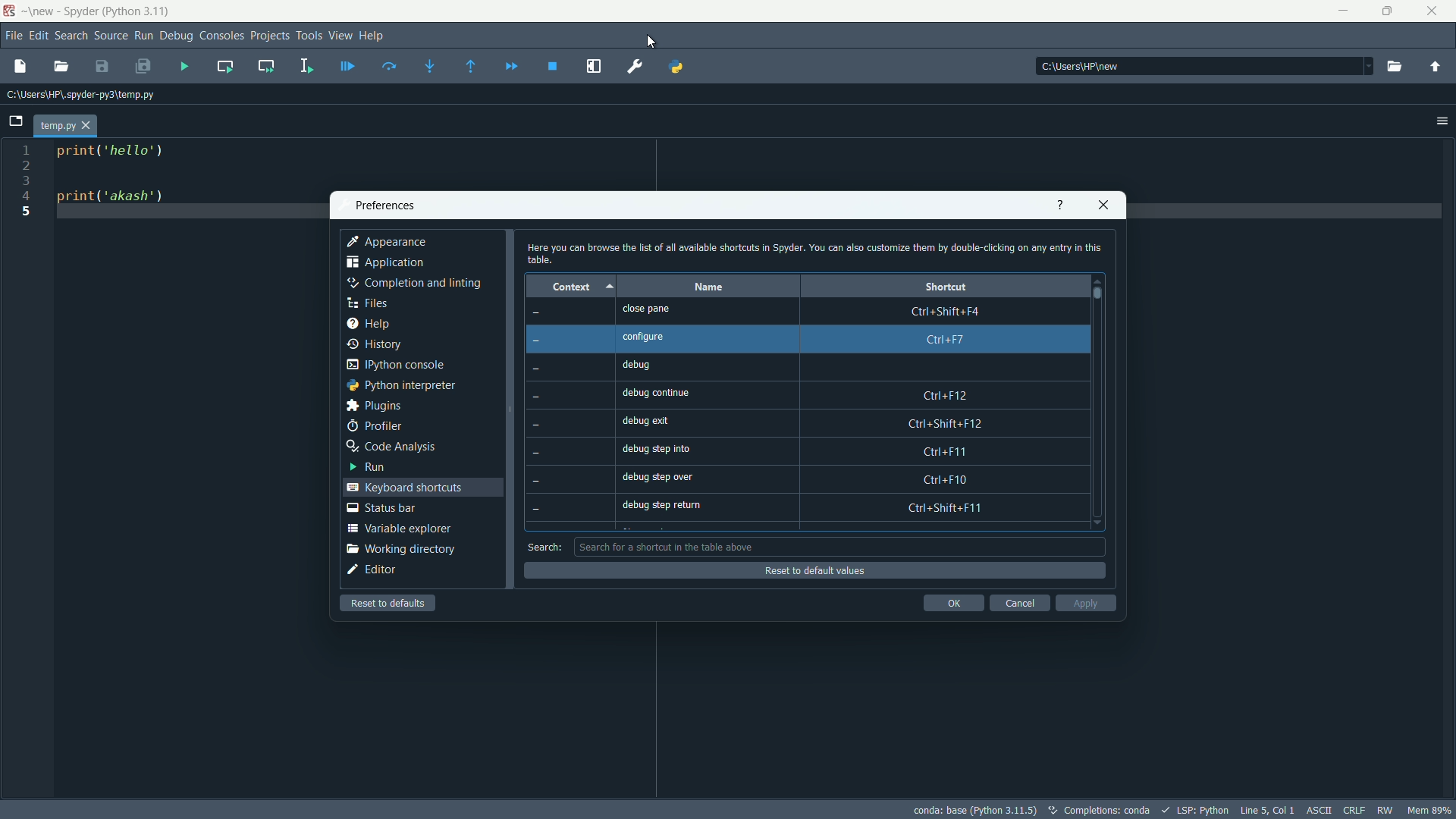 The width and height of the screenshot is (1456, 819). What do you see at coordinates (373, 406) in the screenshot?
I see `plugins` at bounding box center [373, 406].